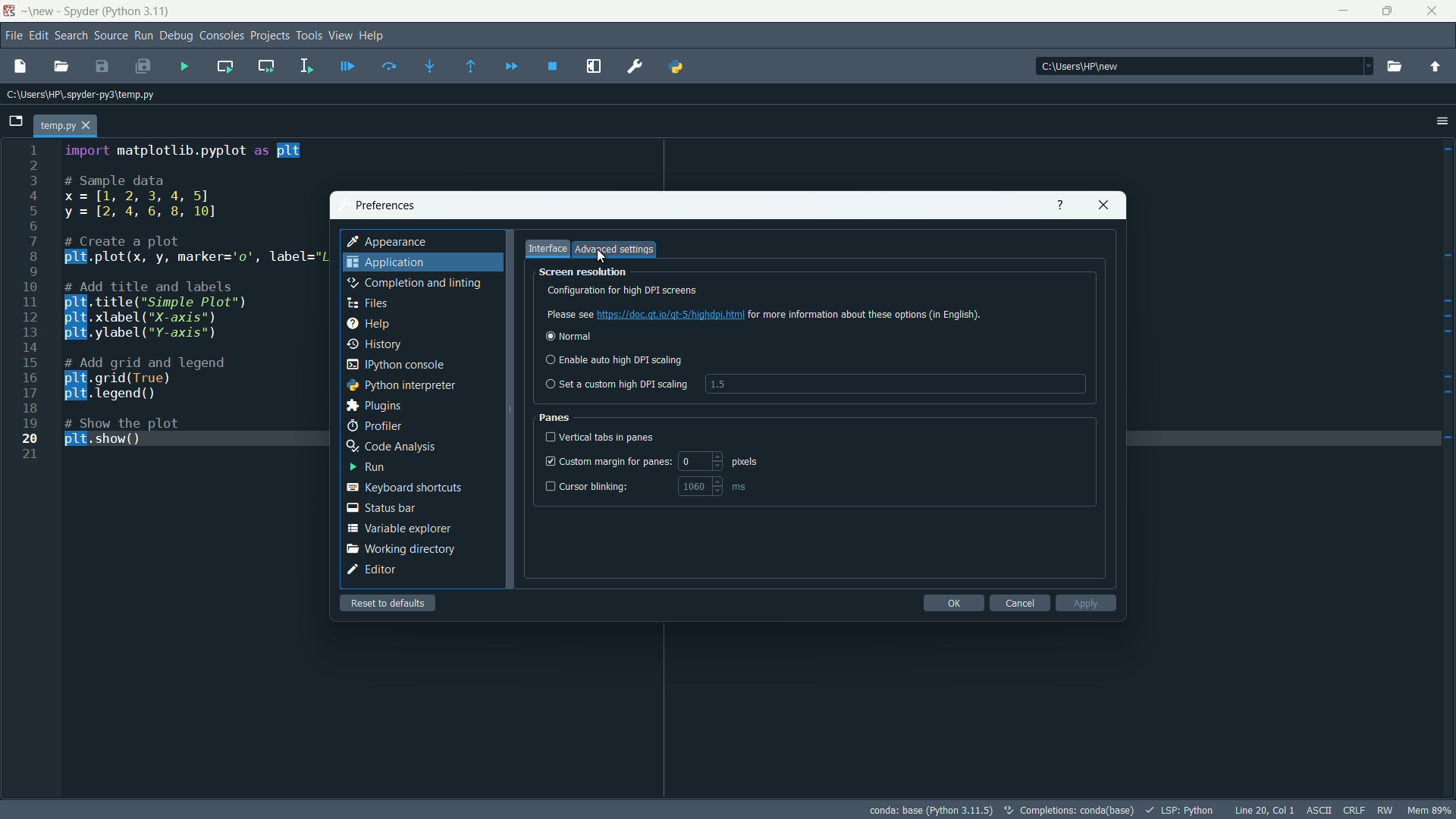 The image size is (1456, 819). What do you see at coordinates (221, 37) in the screenshot?
I see `consoles` at bounding box center [221, 37].